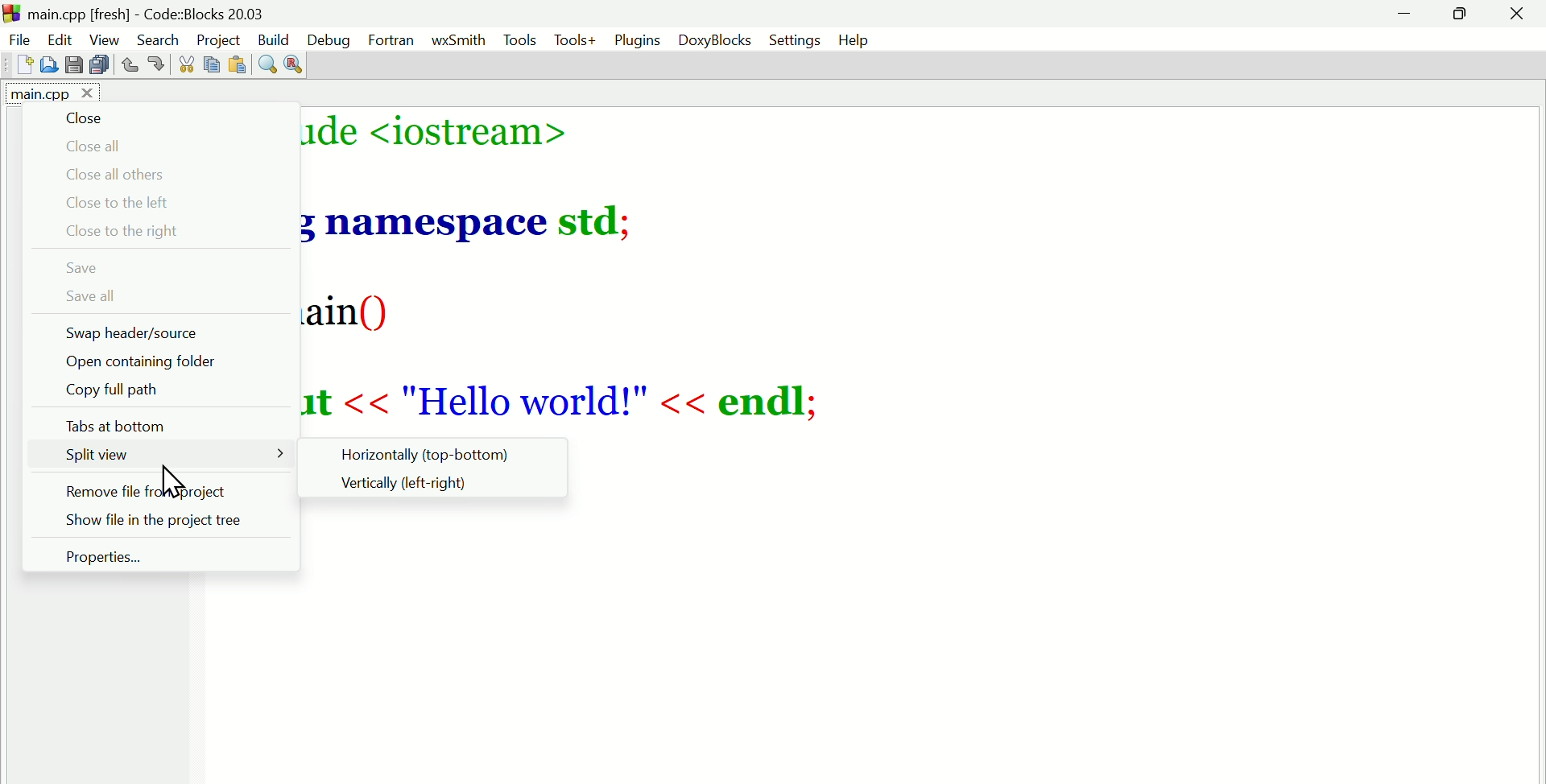 The image size is (1546, 784). Describe the element at coordinates (457, 40) in the screenshot. I see `wxsmith` at that location.